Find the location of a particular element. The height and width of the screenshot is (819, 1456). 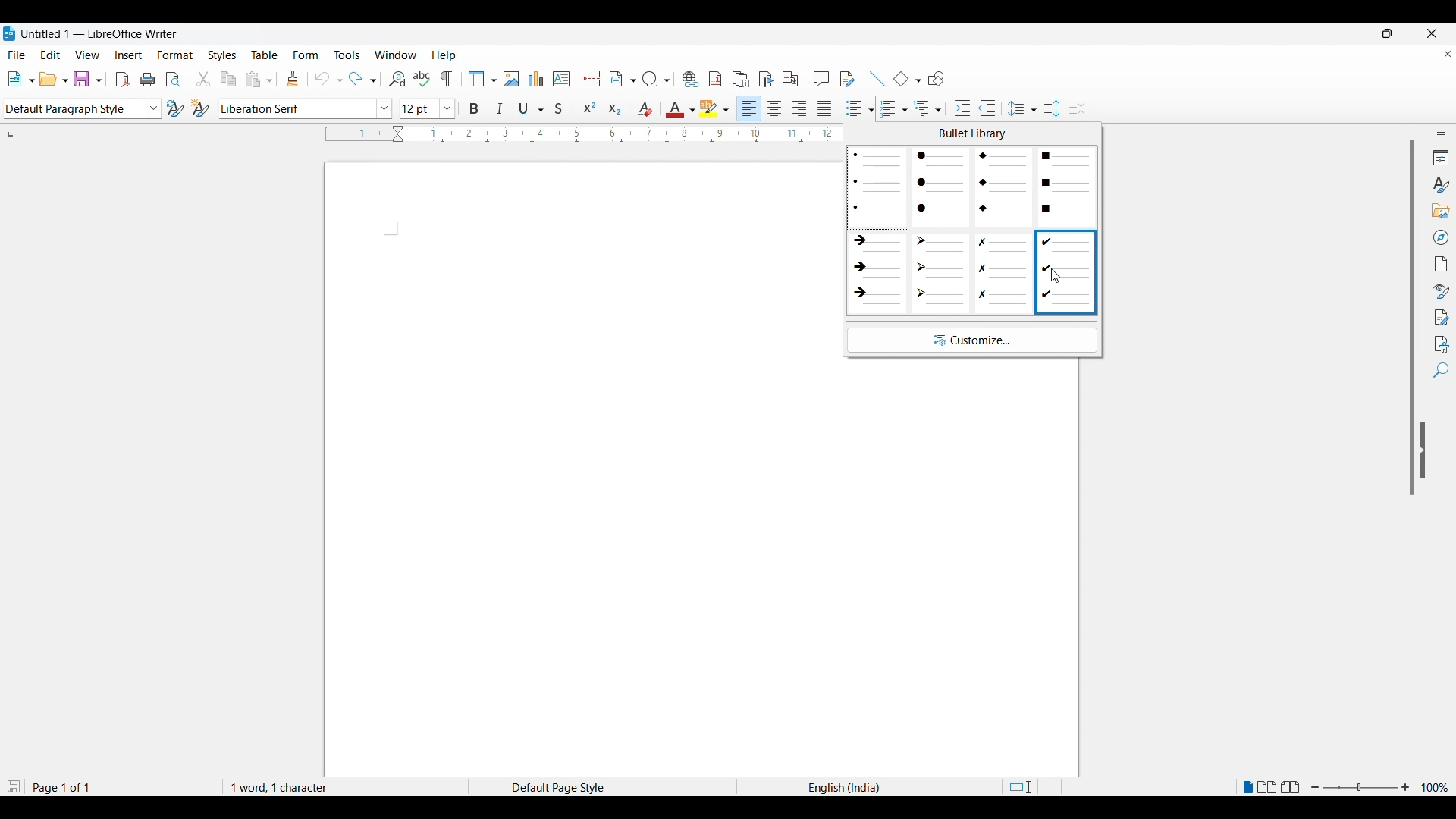

paragraph style is located at coordinates (80, 109).